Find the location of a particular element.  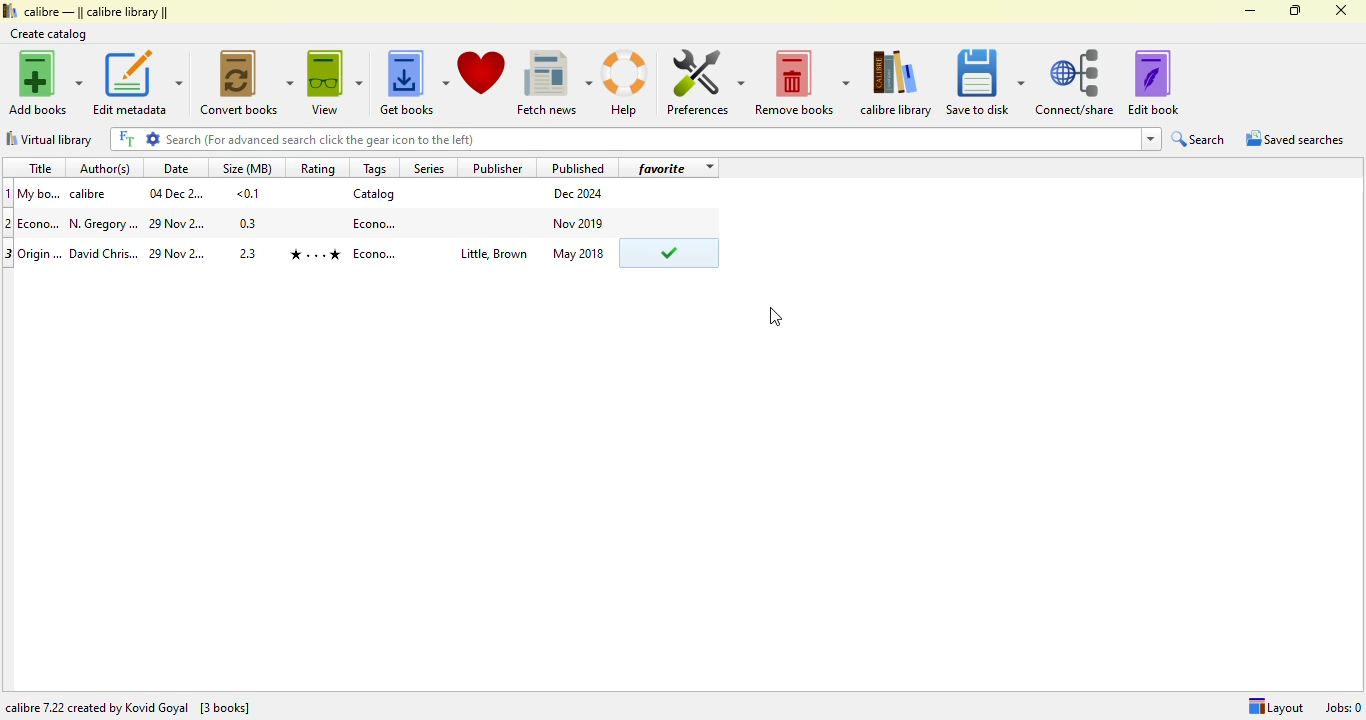

author(s) is located at coordinates (108, 167).